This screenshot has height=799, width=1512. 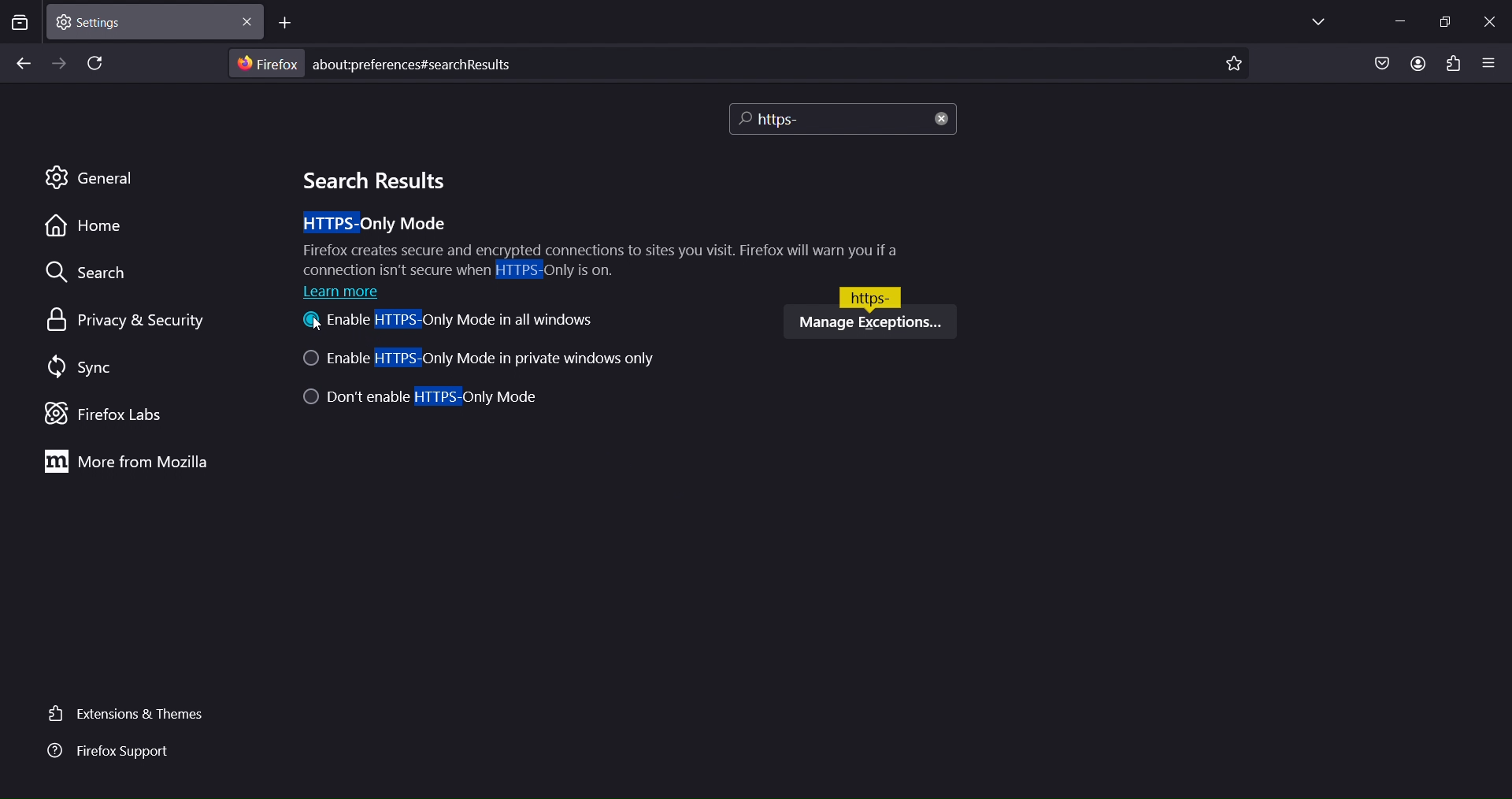 I want to click on https-only mode , so click(x=598, y=245).